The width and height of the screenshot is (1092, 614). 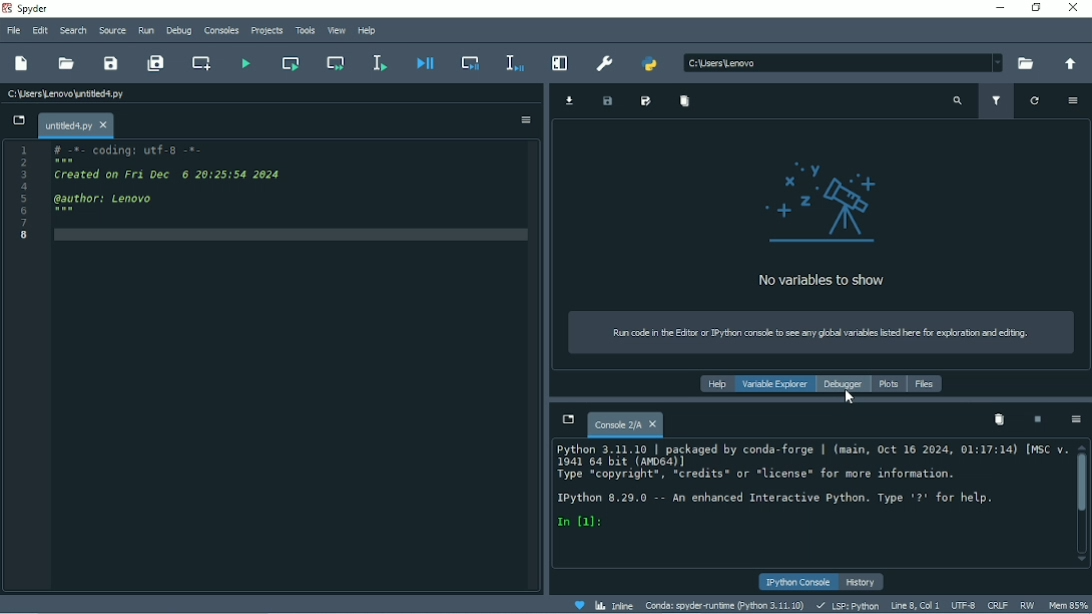 What do you see at coordinates (838, 61) in the screenshot?
I see `BM csesteor ~~ +` at bounding box center [838, 61].